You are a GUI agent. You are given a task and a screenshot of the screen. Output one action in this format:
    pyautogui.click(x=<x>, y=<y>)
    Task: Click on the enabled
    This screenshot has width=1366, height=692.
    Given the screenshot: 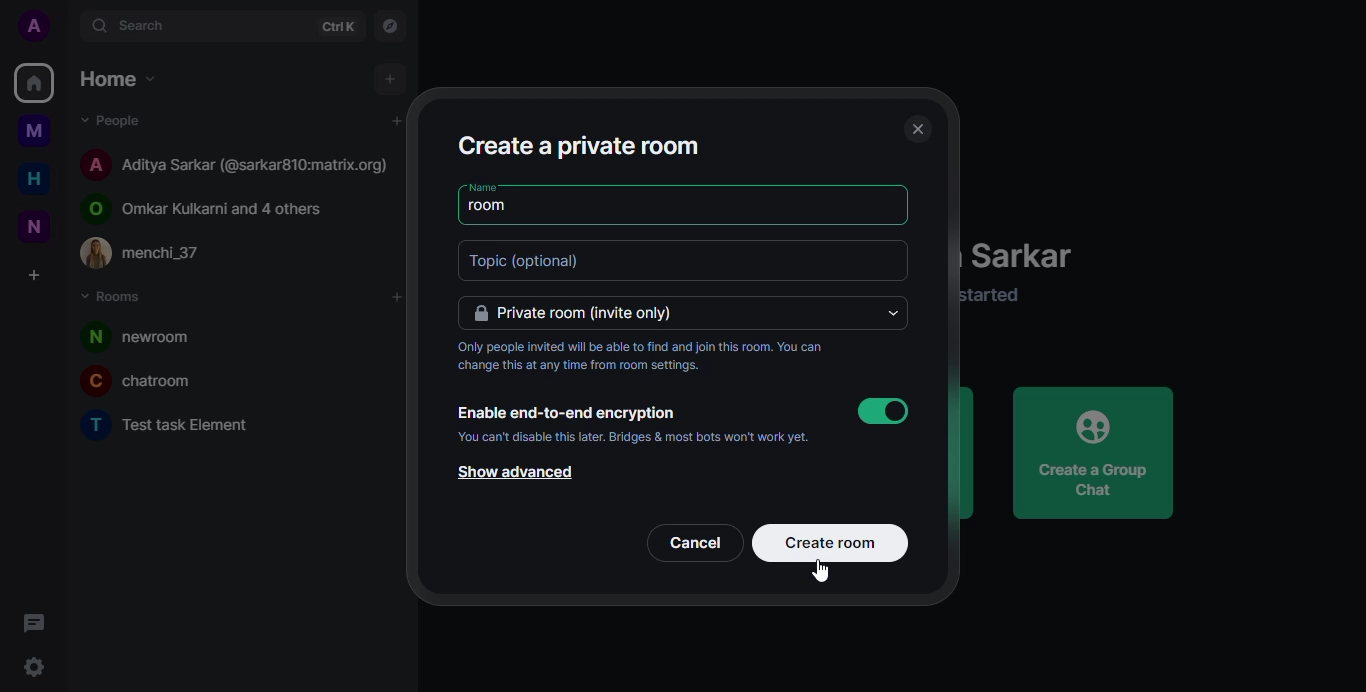 What is the action you would take?
    pyautogui.click(x=886, y=412)
    